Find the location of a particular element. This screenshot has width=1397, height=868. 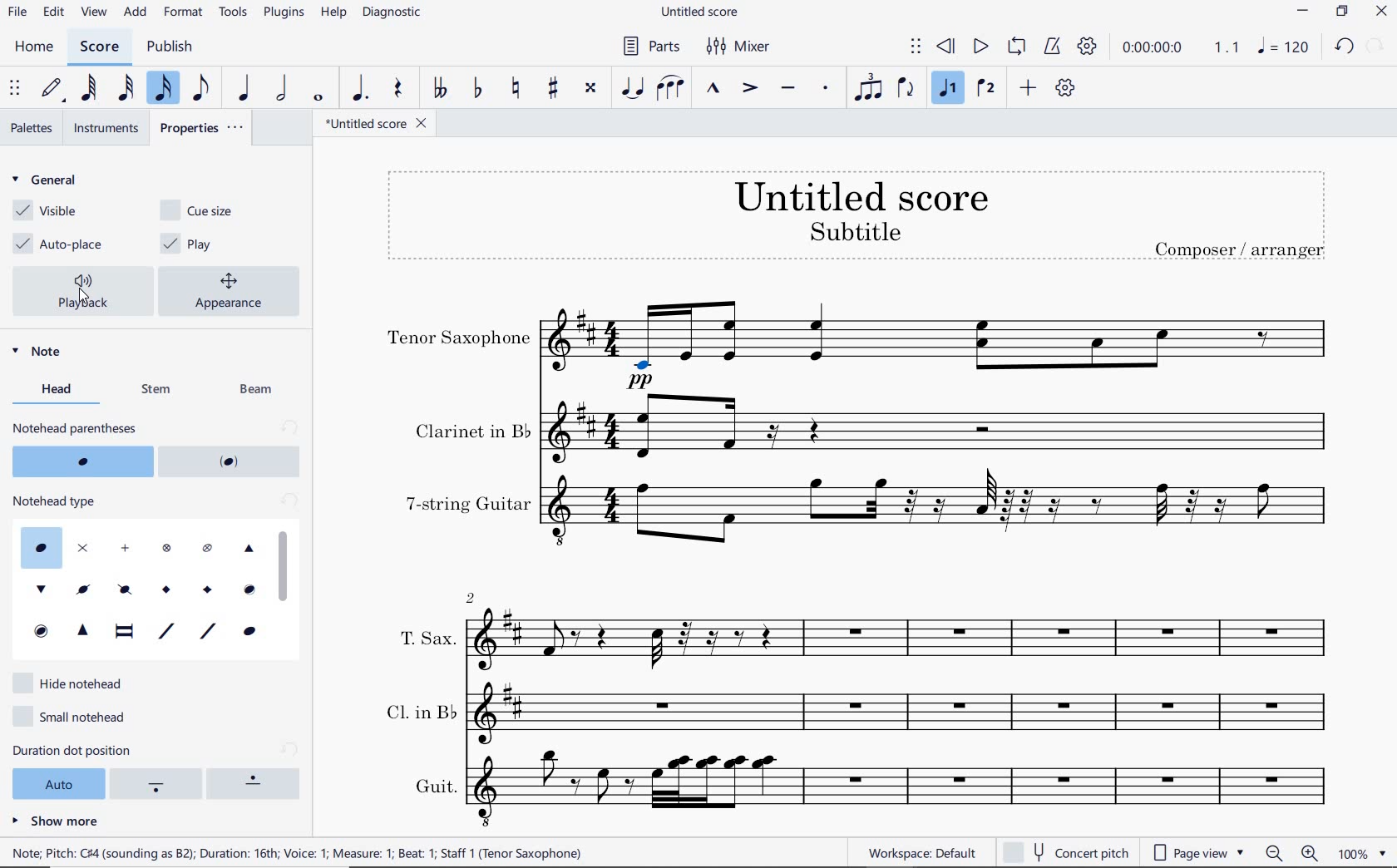

METRONOME is located at coordinates (1054, 47).